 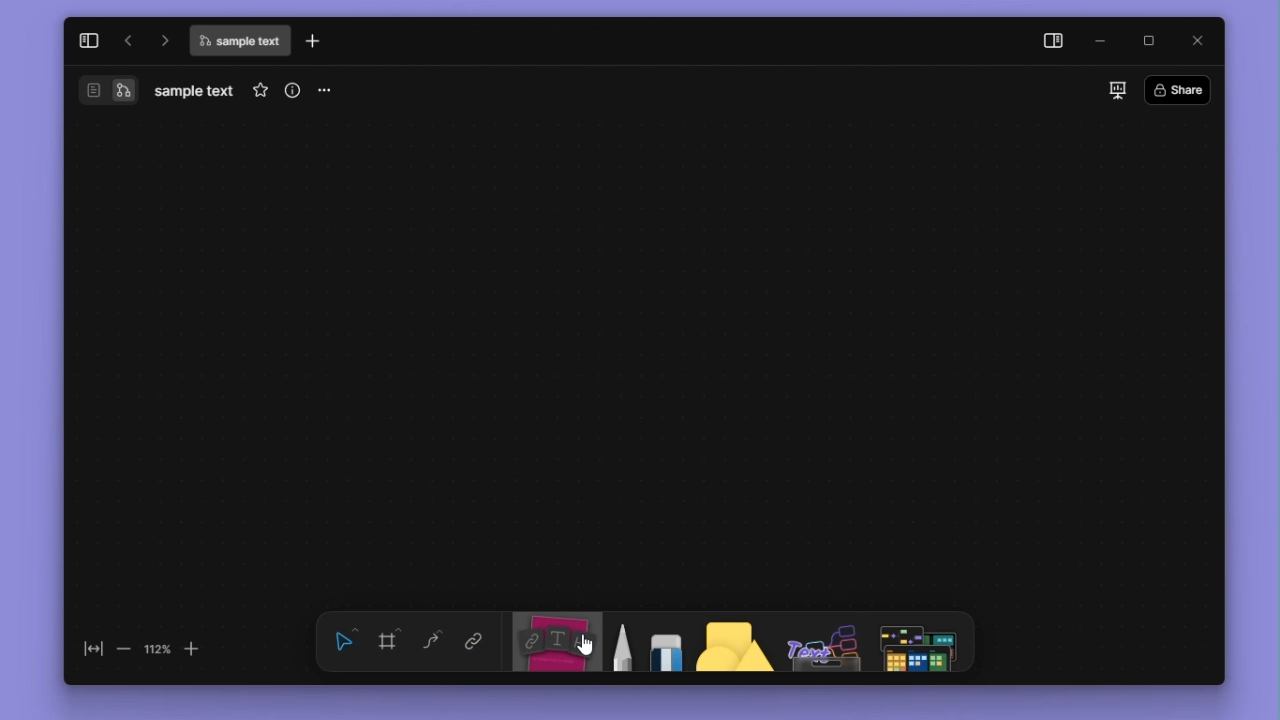 What do you see at coordinates (345, 640) in the screenshot?
I see `select` at bounding box center [345, 640].